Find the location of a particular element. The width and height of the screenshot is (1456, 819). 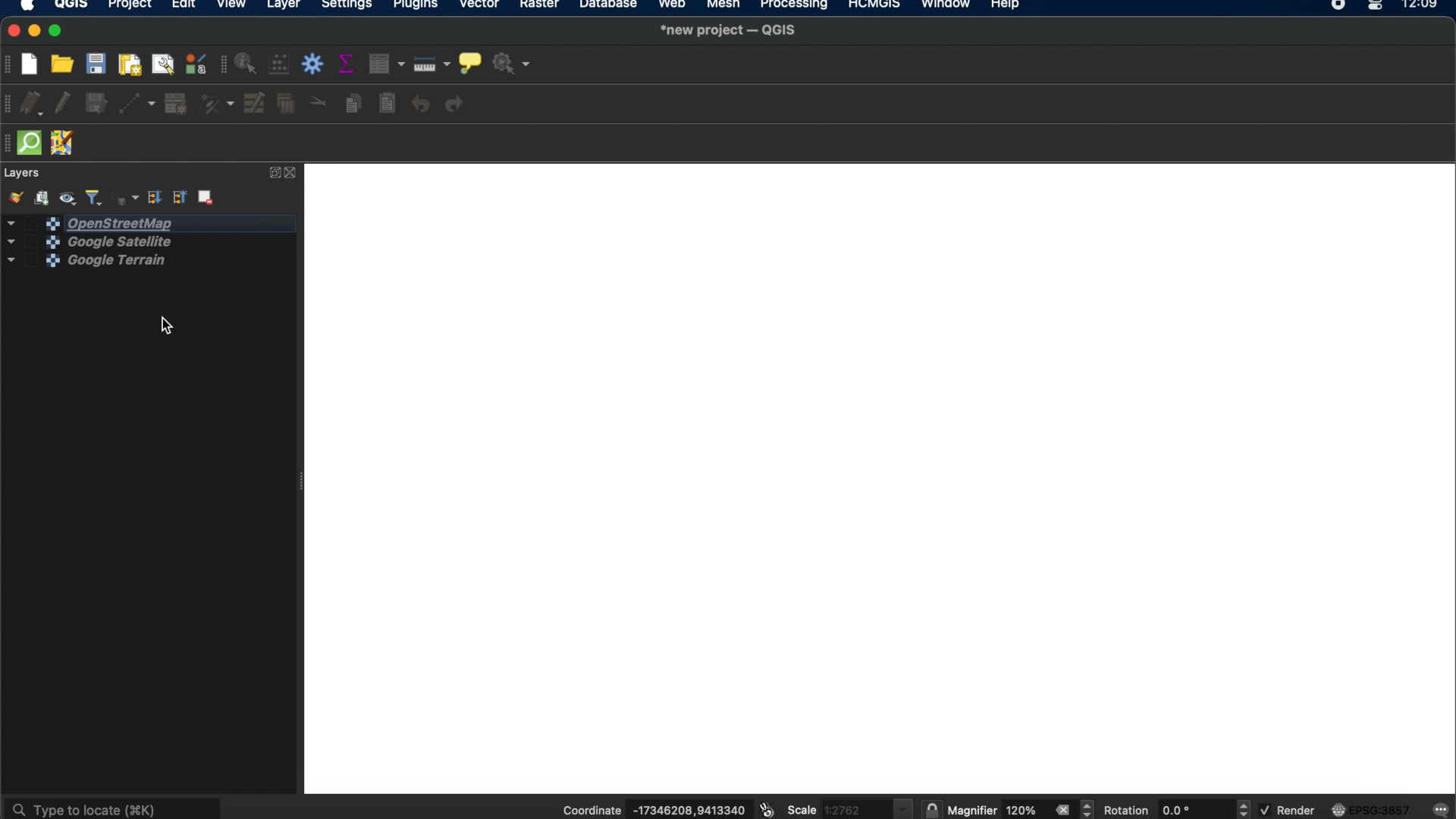

open field calculator is located at coordinates (281, 65).